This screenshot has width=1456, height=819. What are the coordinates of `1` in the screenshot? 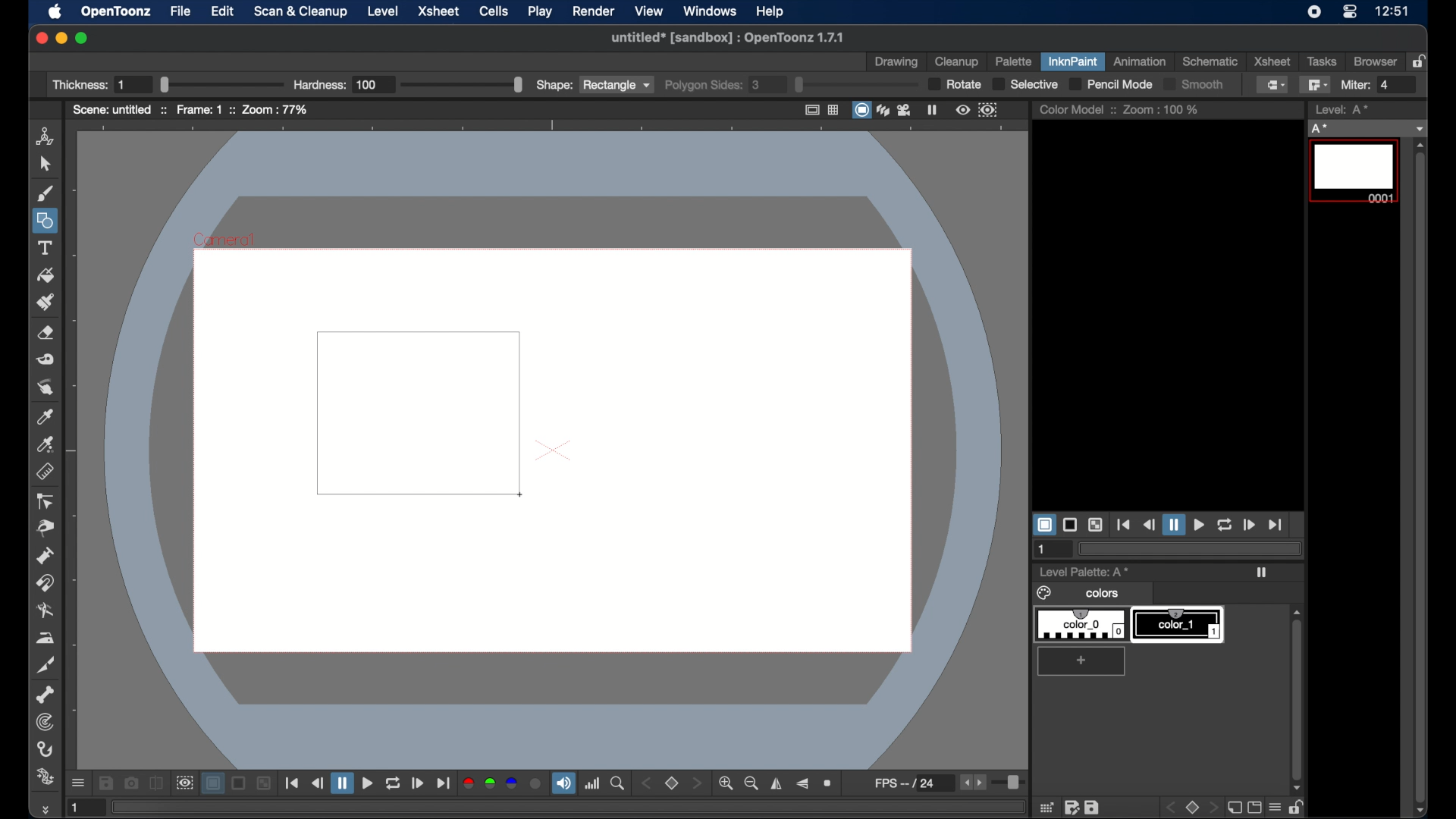 It's located at (1043, 550).